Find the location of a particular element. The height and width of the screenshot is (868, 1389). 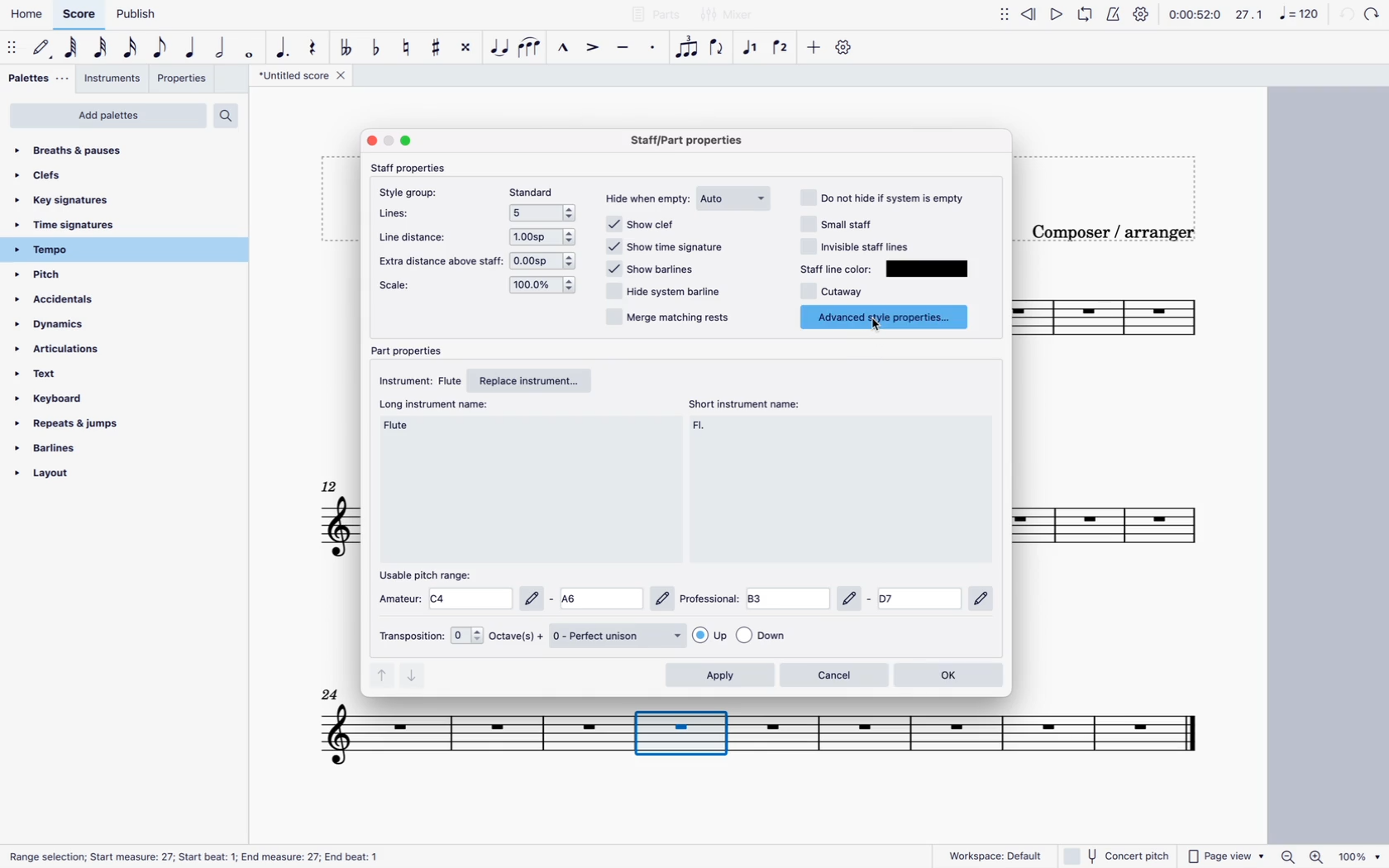

professional options is located at coordinates (789, 599).